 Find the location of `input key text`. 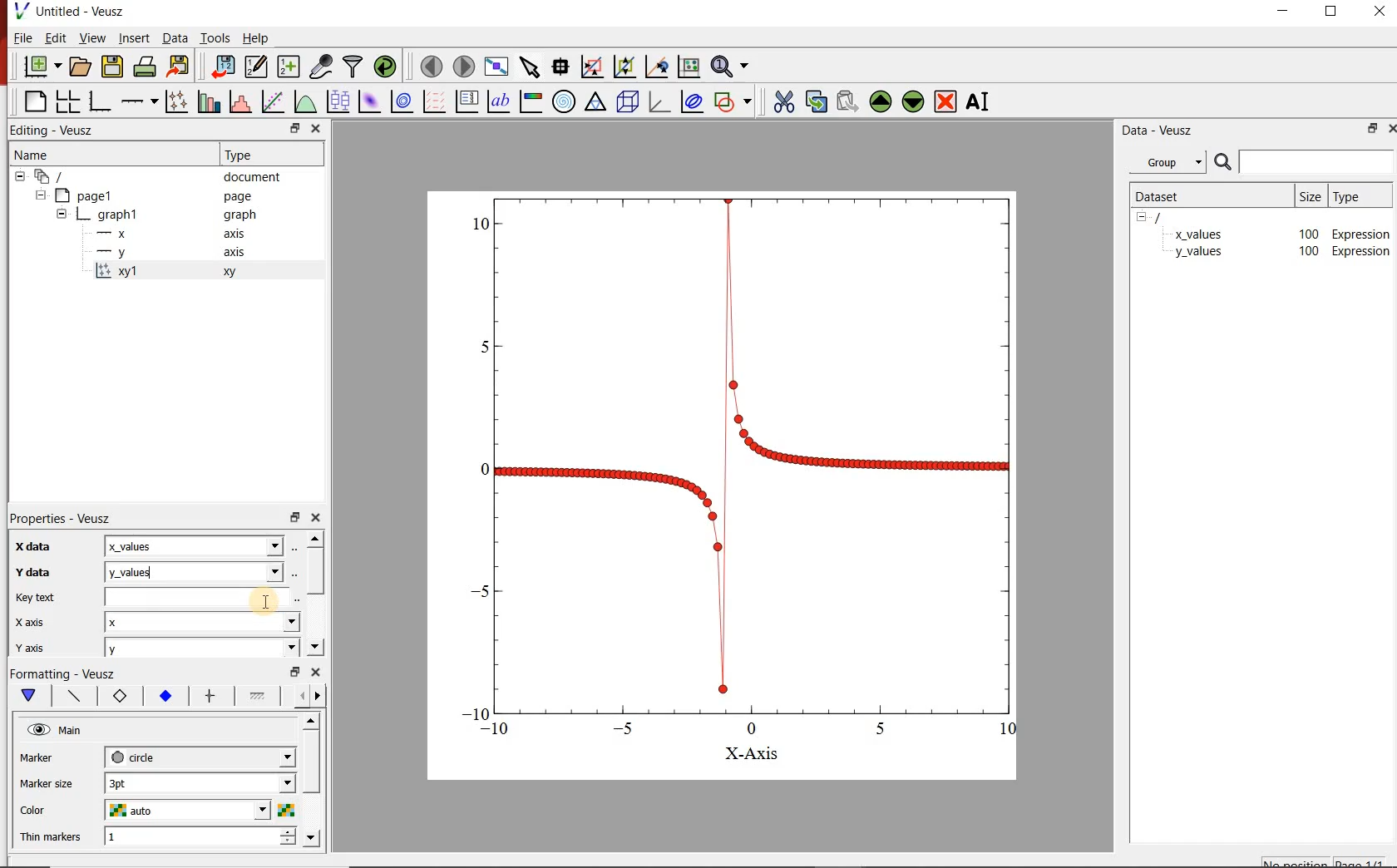

input key text is located at coordinates (197, 596).